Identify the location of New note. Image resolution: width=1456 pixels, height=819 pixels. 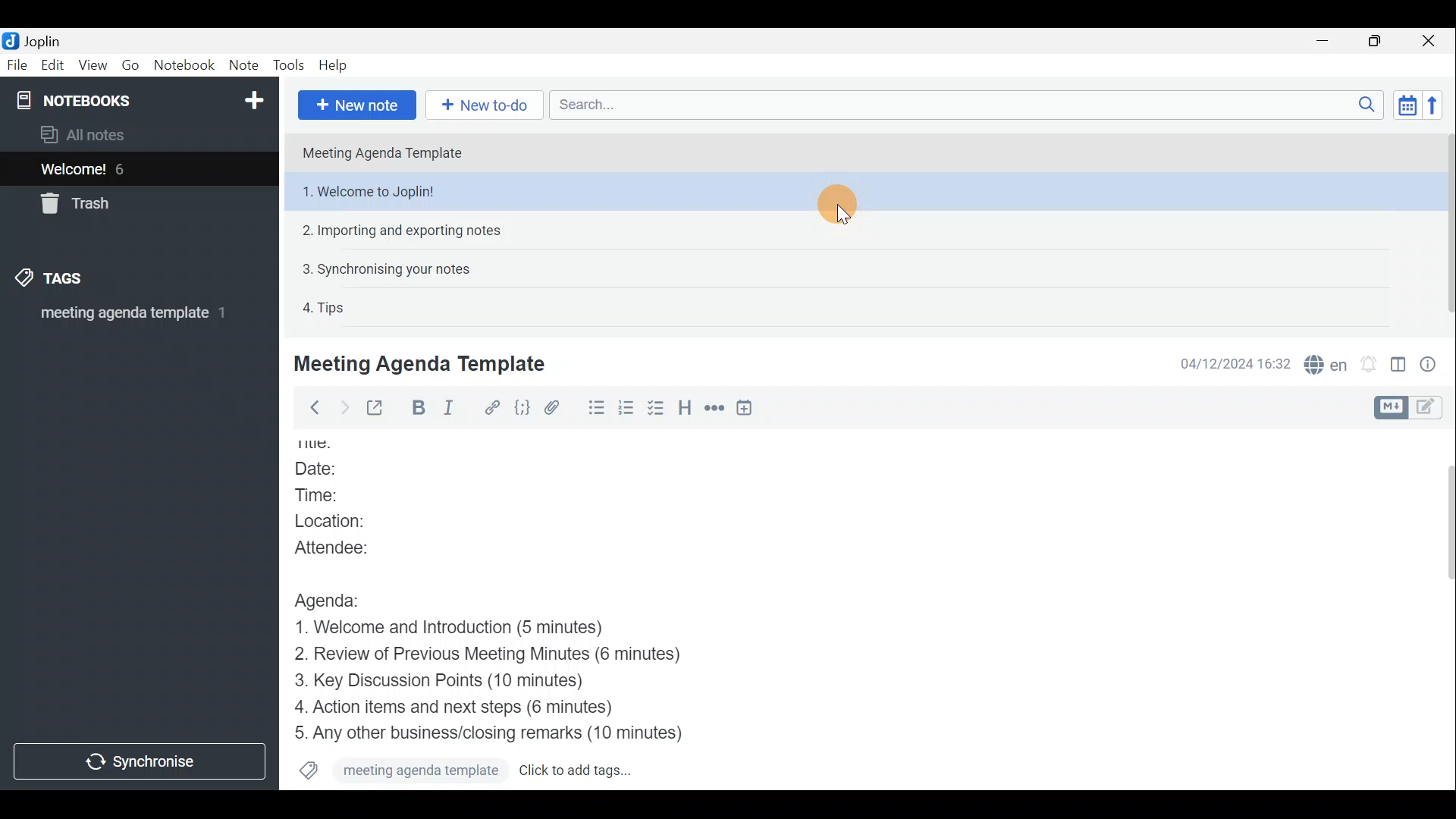
(357, 105).